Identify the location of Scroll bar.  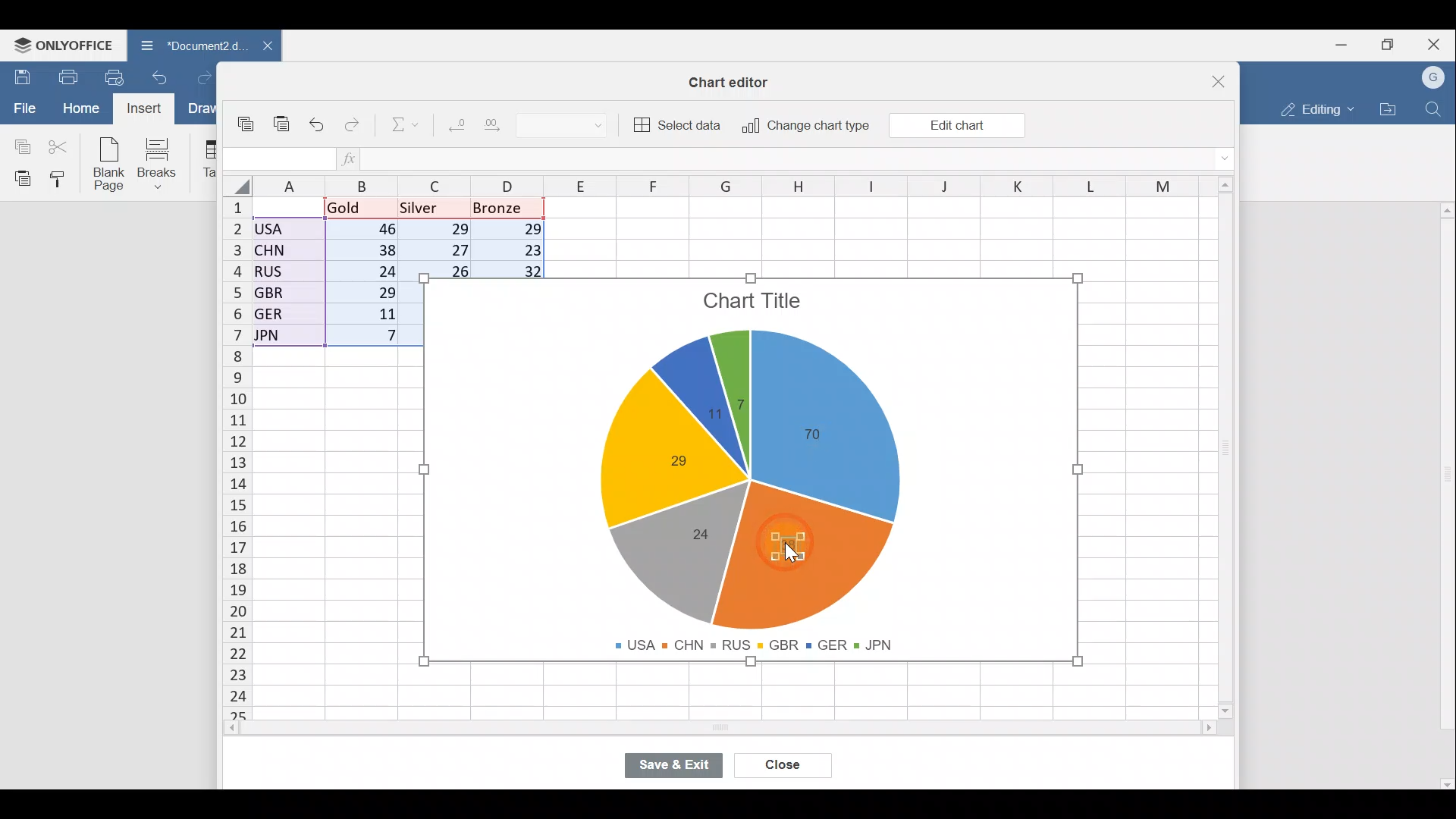
(742, 729).